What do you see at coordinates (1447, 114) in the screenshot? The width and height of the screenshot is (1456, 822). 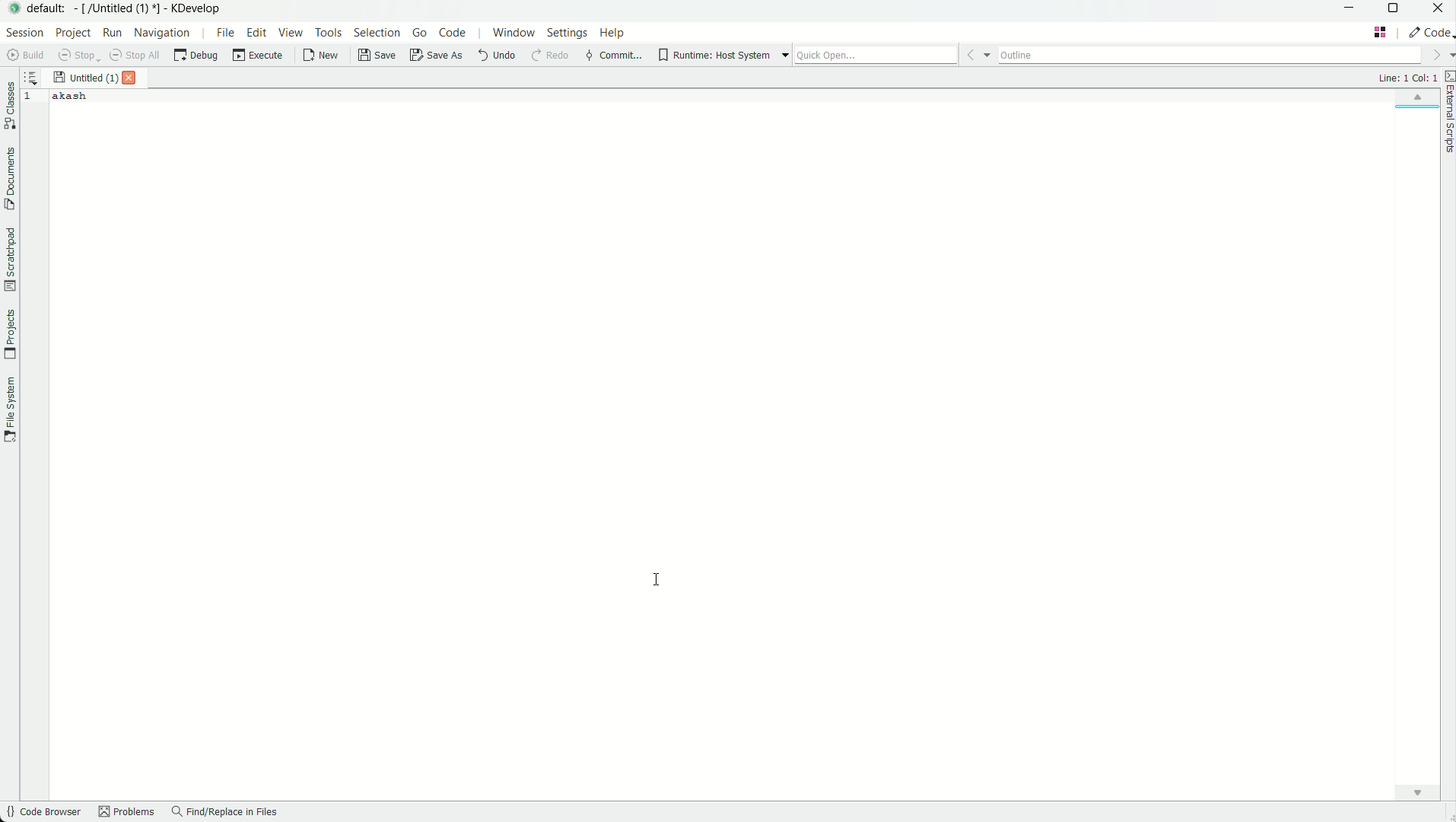 I see `external scripts` at bounding box center [1447, 114].